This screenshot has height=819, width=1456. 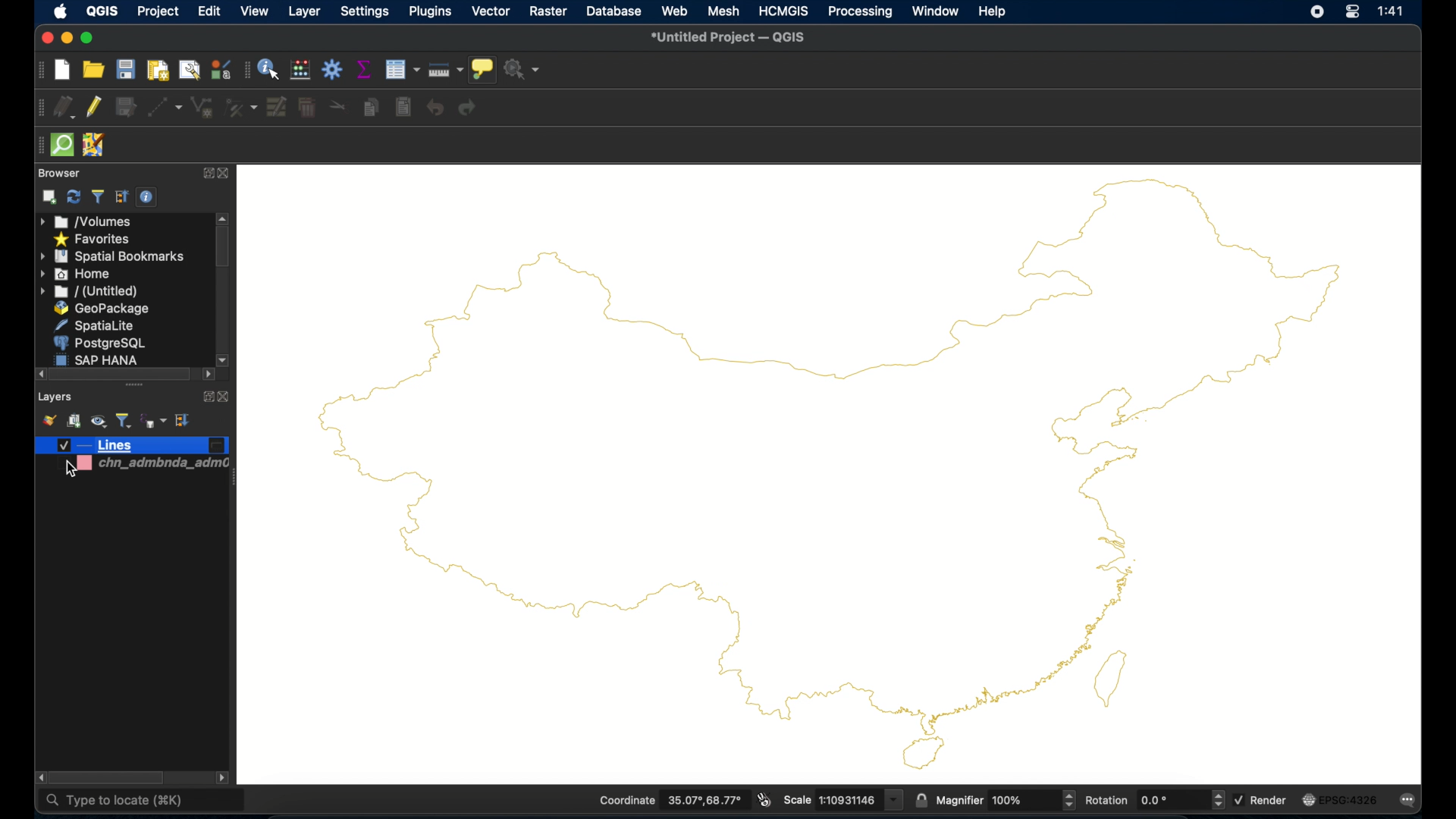 I want to click on type to locate, so click(x=114, y=803).